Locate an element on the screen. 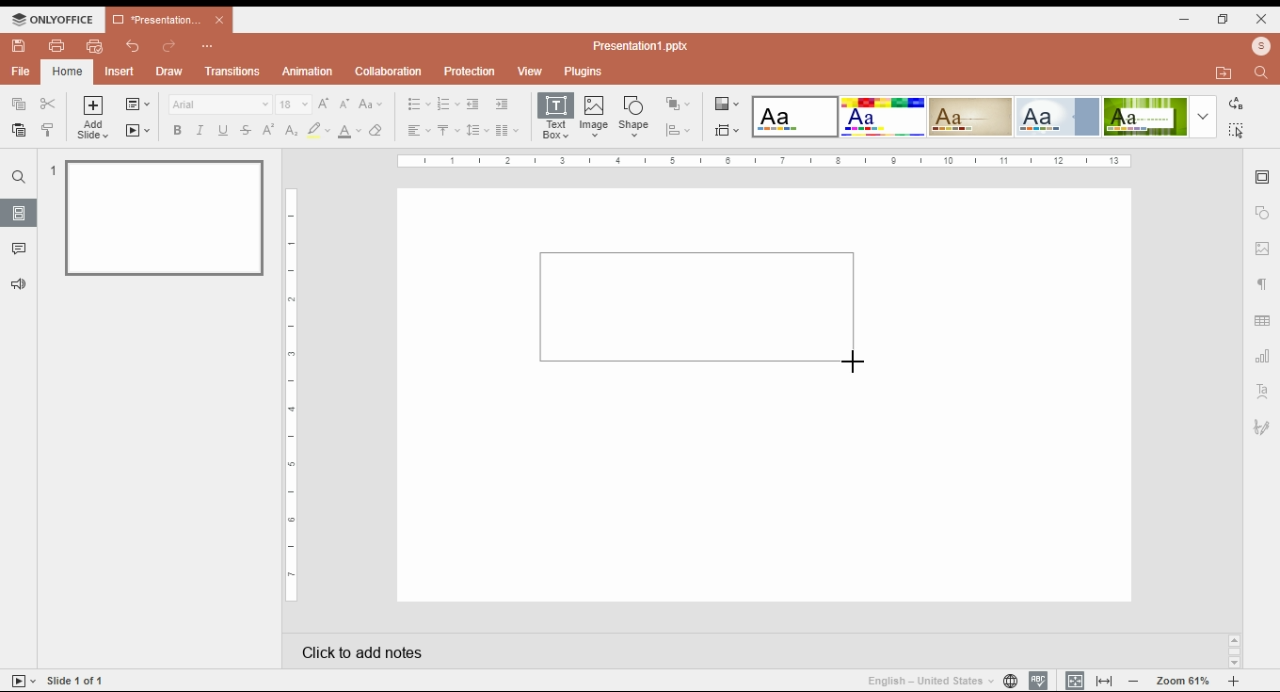 The height and width of the screenshot is (692, 1280). scroll down is located at coordinates (1234, 663).